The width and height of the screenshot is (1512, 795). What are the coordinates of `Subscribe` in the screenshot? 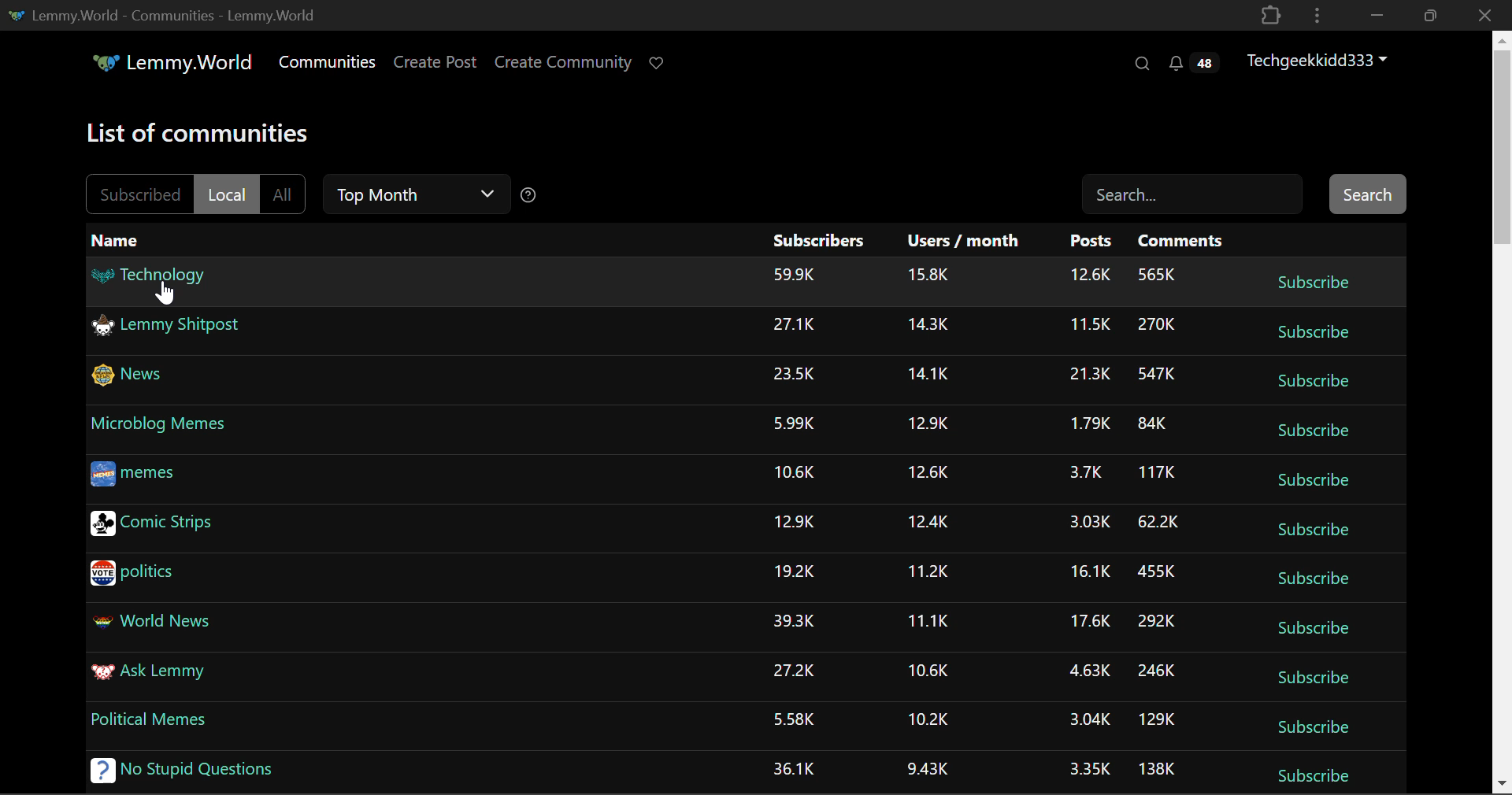 It's located at (1317, 630).